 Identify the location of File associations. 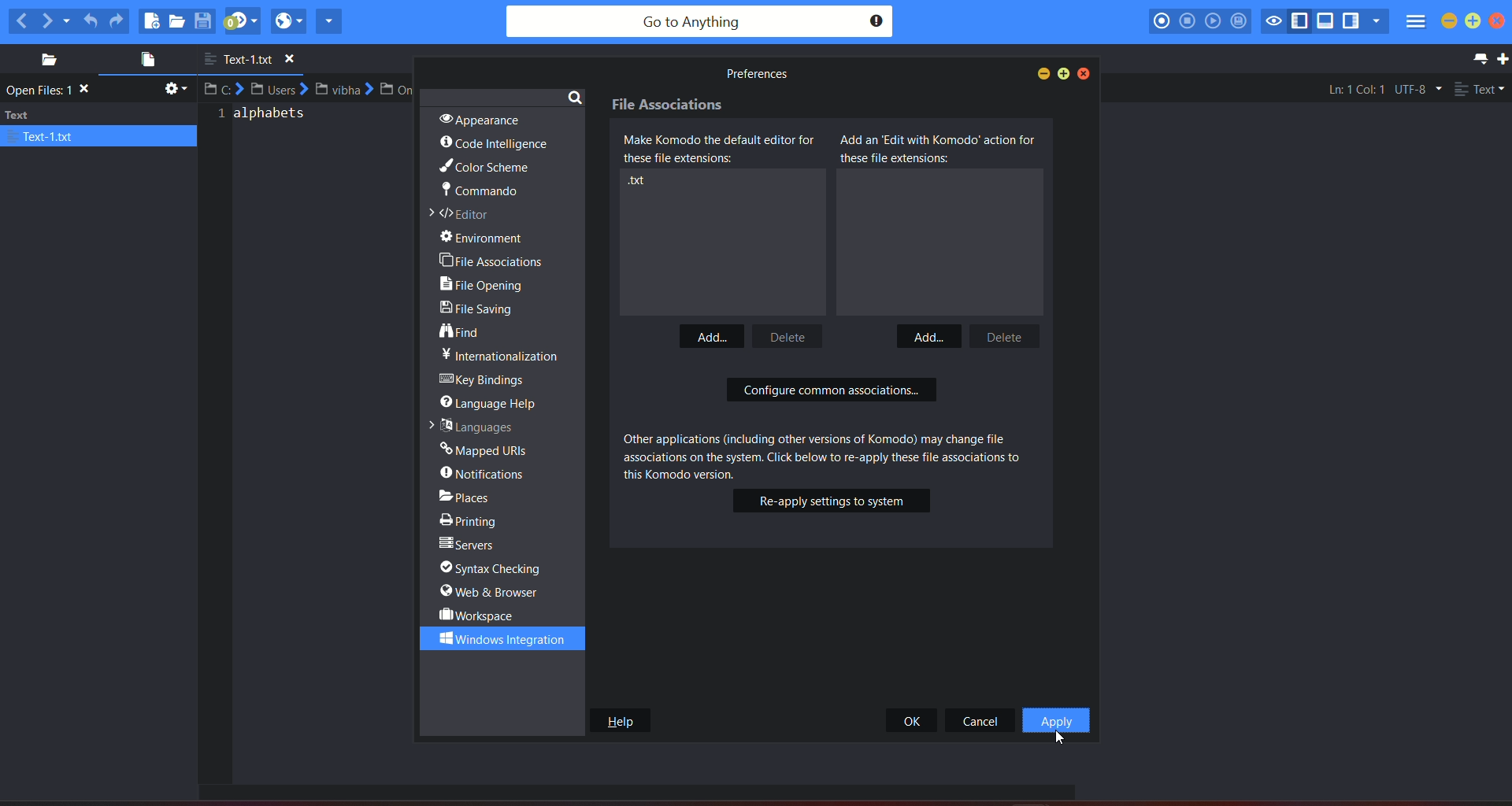
(668, 106).